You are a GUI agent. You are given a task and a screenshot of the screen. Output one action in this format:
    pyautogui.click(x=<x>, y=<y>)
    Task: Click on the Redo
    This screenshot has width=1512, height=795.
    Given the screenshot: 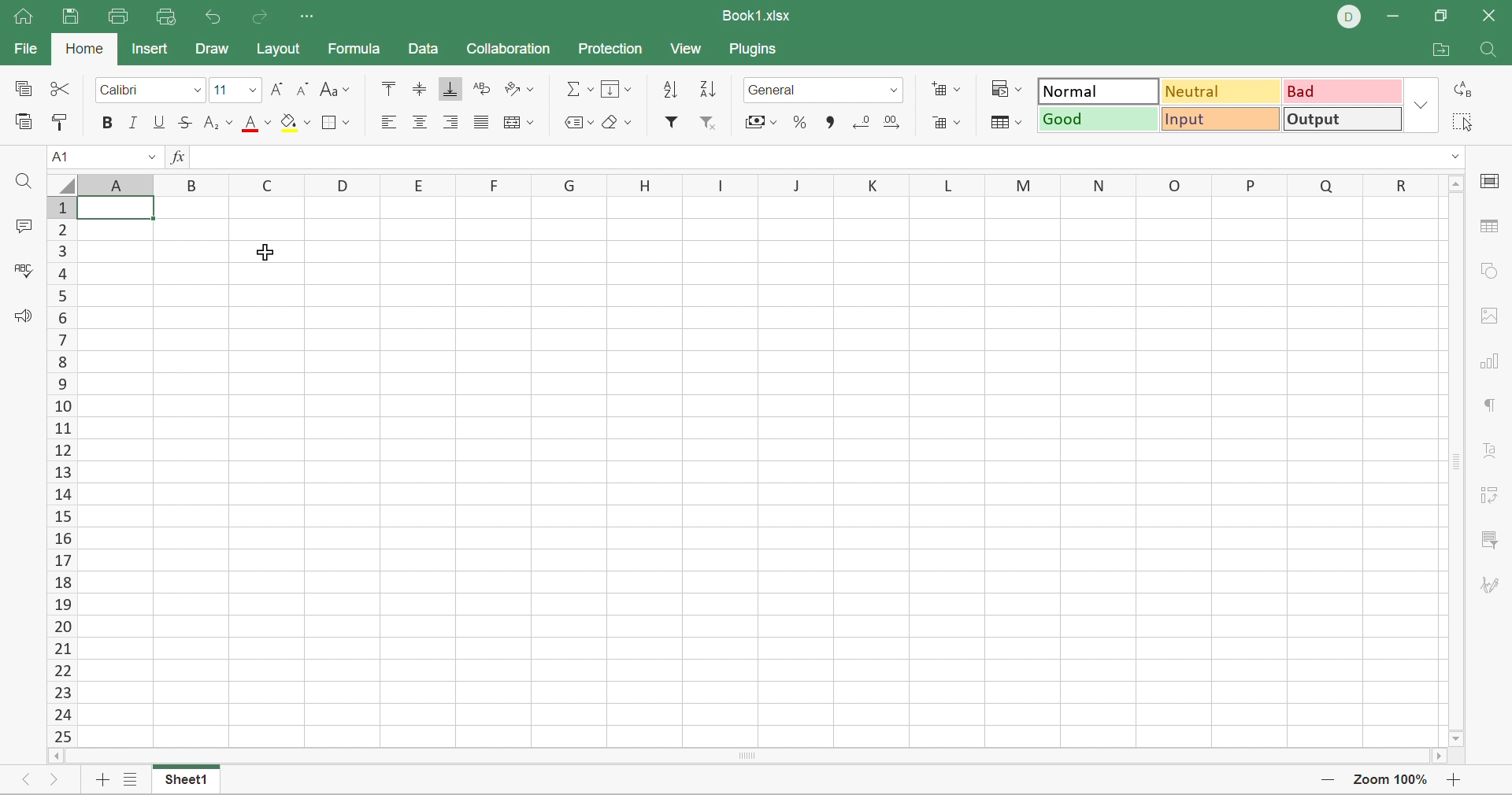 What is the action you would take?
    pyautogui.click(x=258, y=19)
    